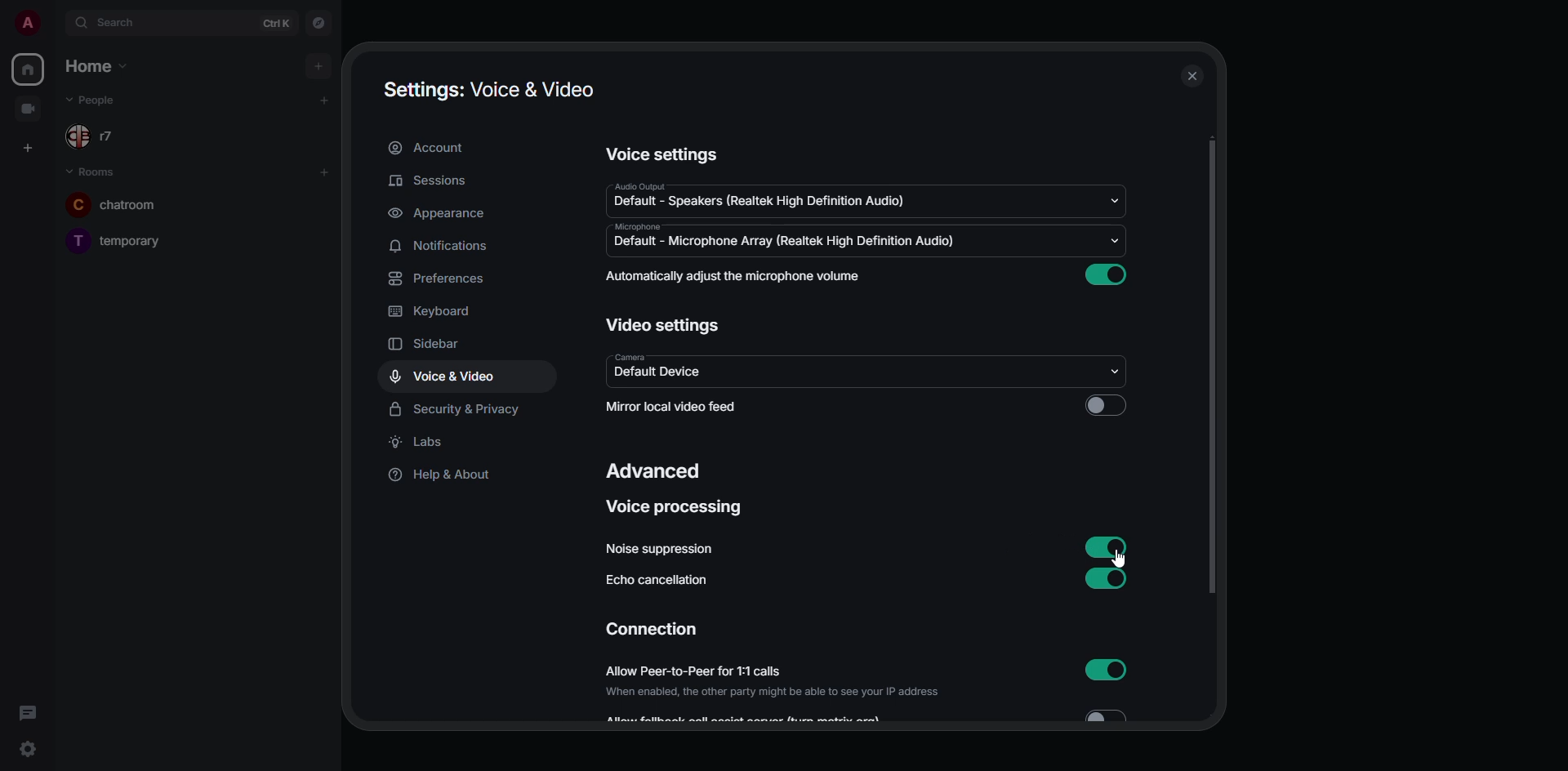 The height and width of the screenshot is (771, 1568). Describe the element at coordinates (1108, 548) in the screenshot. I see `enabled` at that location.